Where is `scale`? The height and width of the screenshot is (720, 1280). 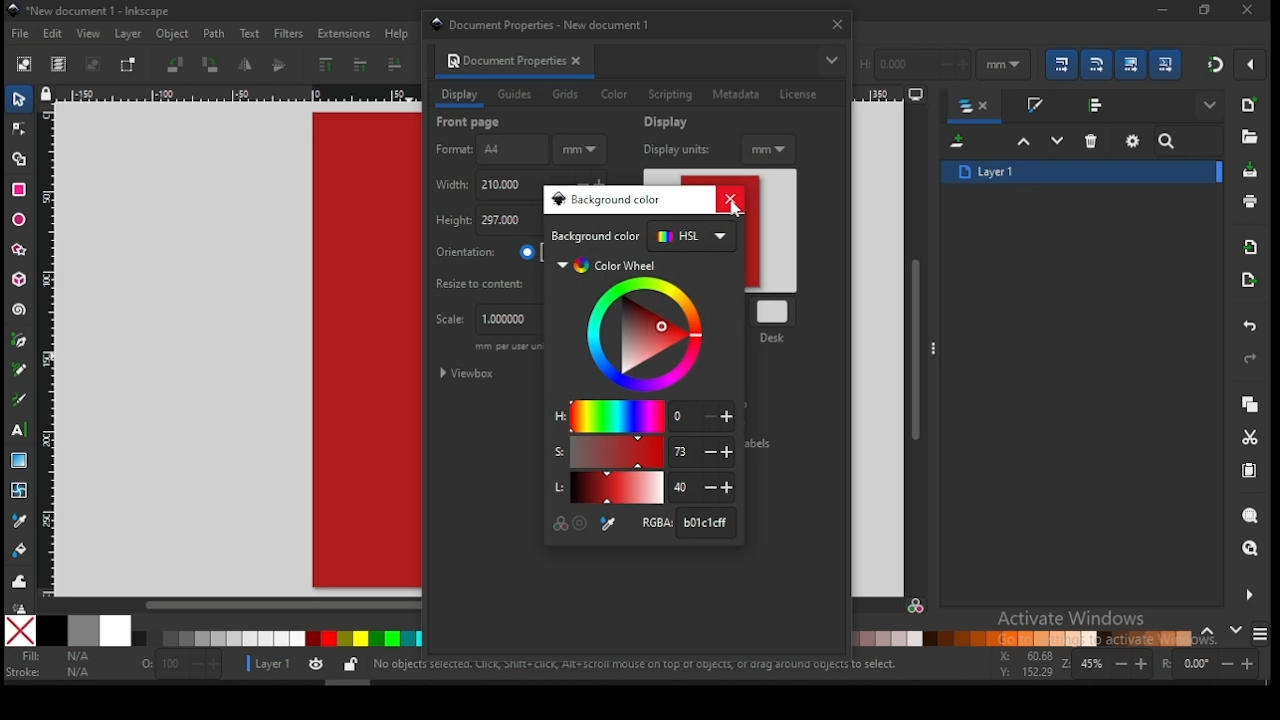 scale is located at coordinates (483, 320).